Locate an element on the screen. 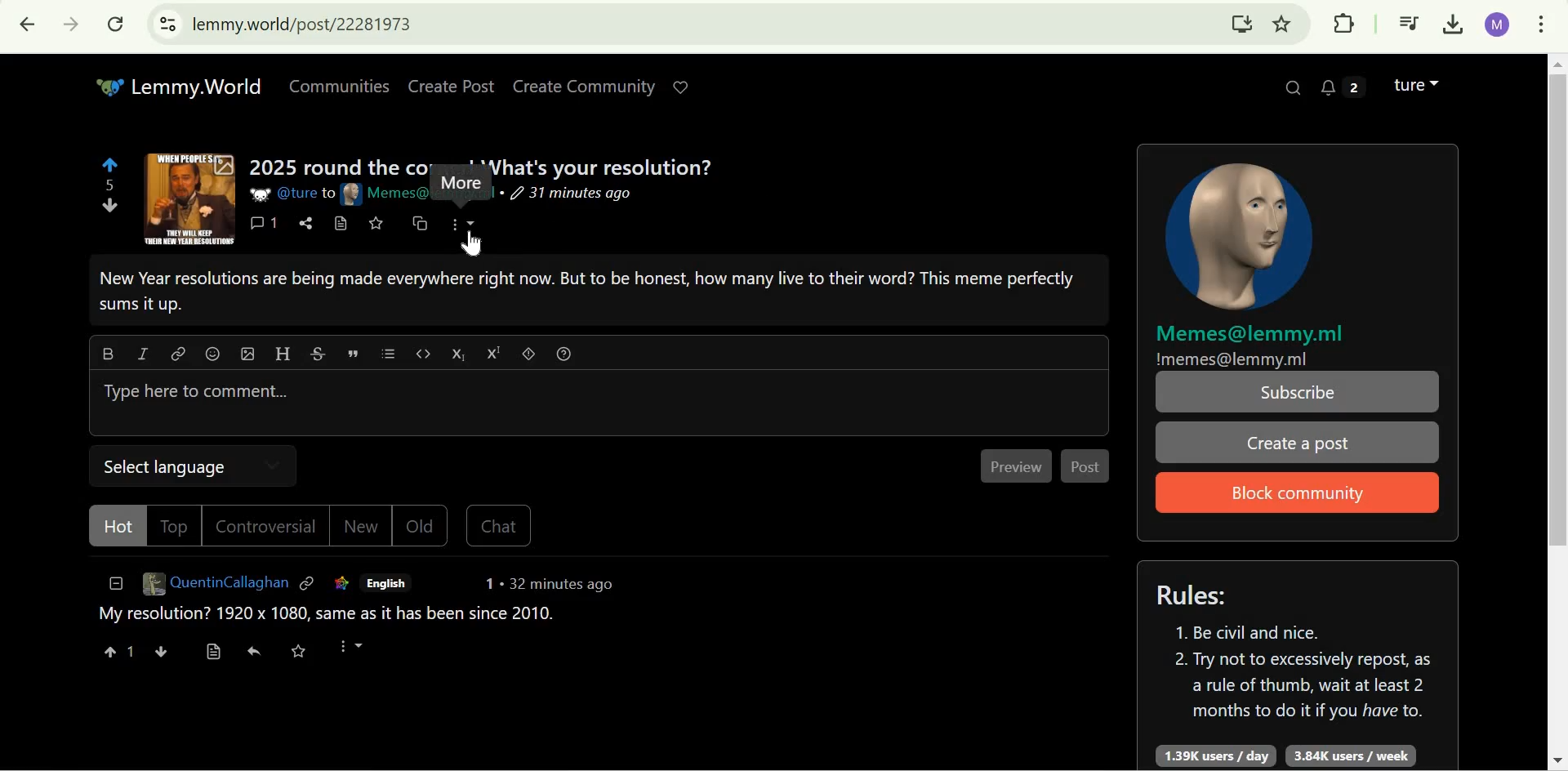 The width and height of the screenshot is (1568, 771). 1 comments is located at coordinates (265, 225).